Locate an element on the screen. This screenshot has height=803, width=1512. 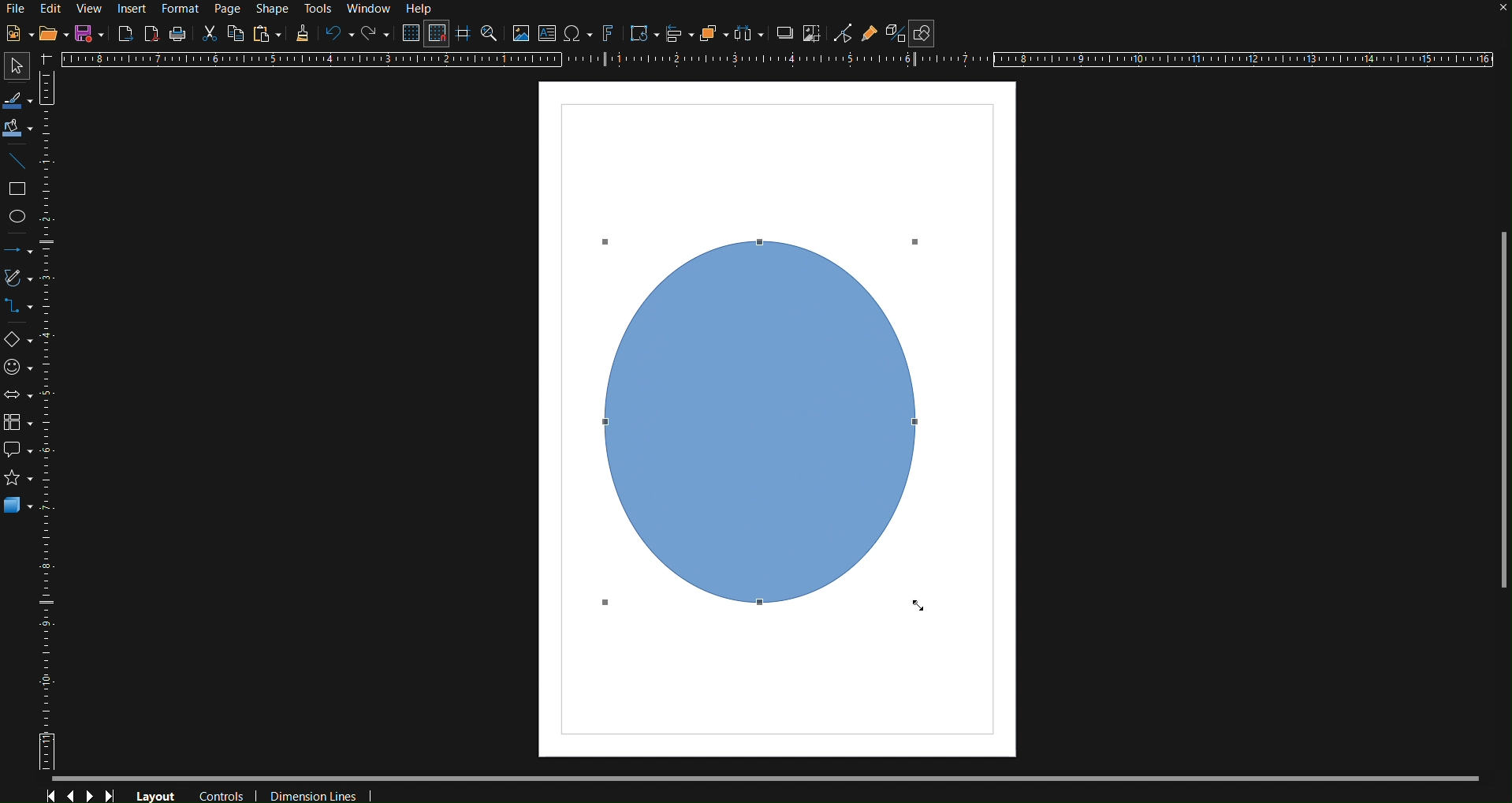
Undo is located at coordinates (339, 35).